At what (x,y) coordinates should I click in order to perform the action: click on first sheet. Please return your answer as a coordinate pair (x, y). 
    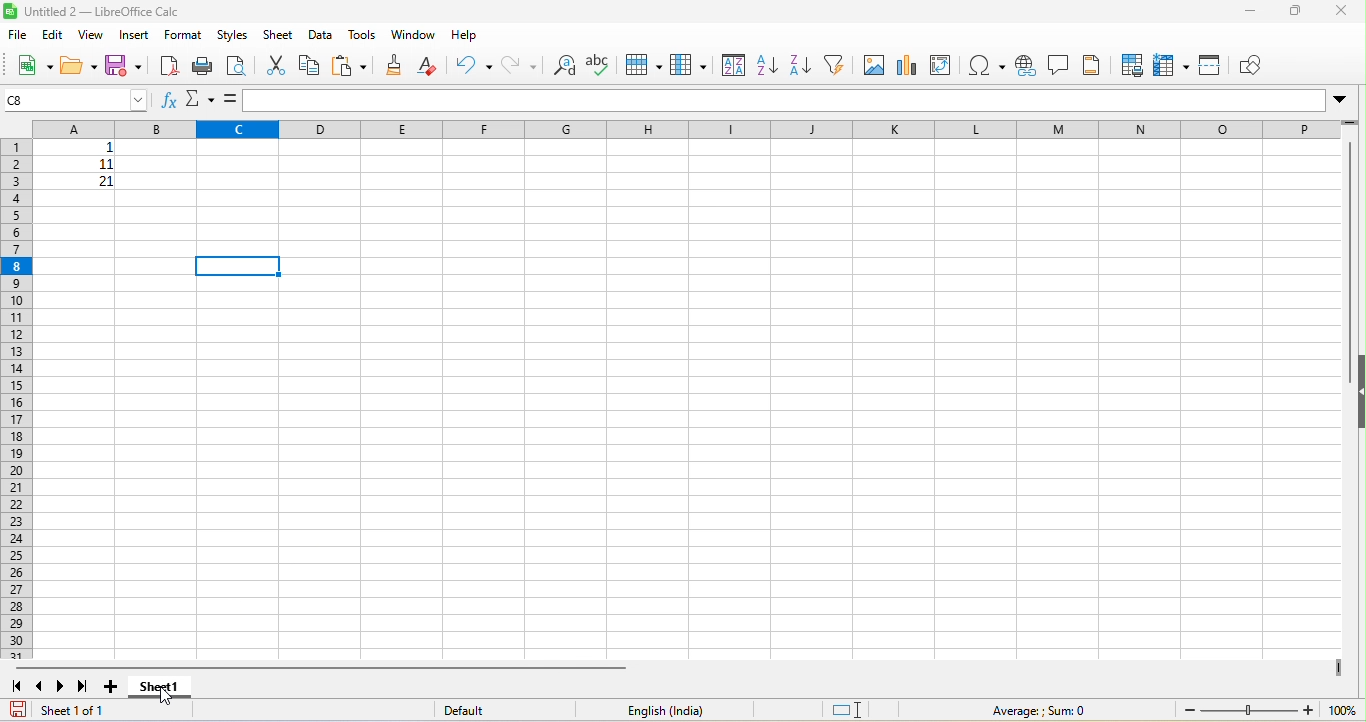
    Looking at the image, I should click on (19, 685).